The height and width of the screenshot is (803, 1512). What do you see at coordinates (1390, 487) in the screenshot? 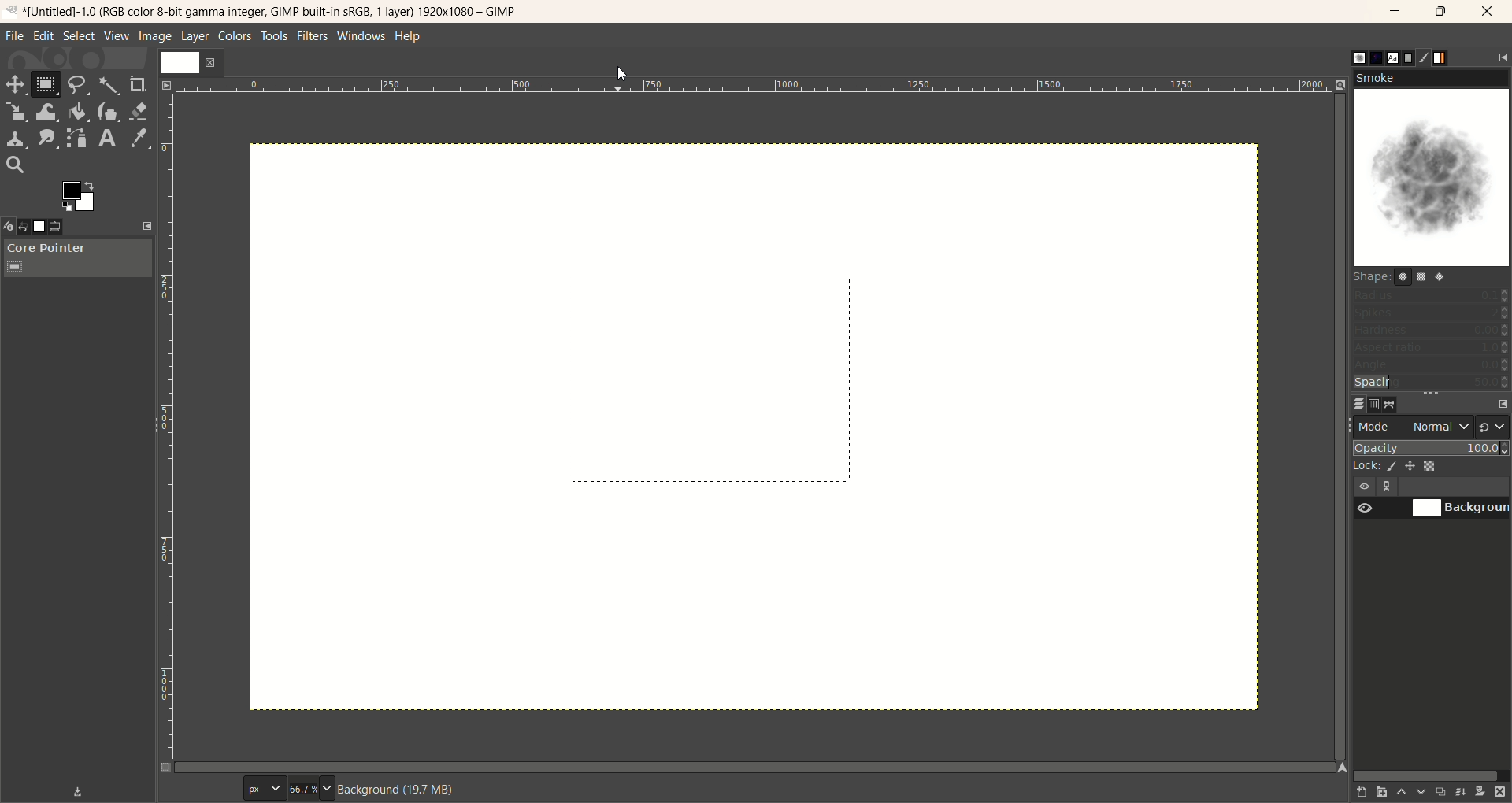
I see `layer linking` at bounding box center [1390, 487].